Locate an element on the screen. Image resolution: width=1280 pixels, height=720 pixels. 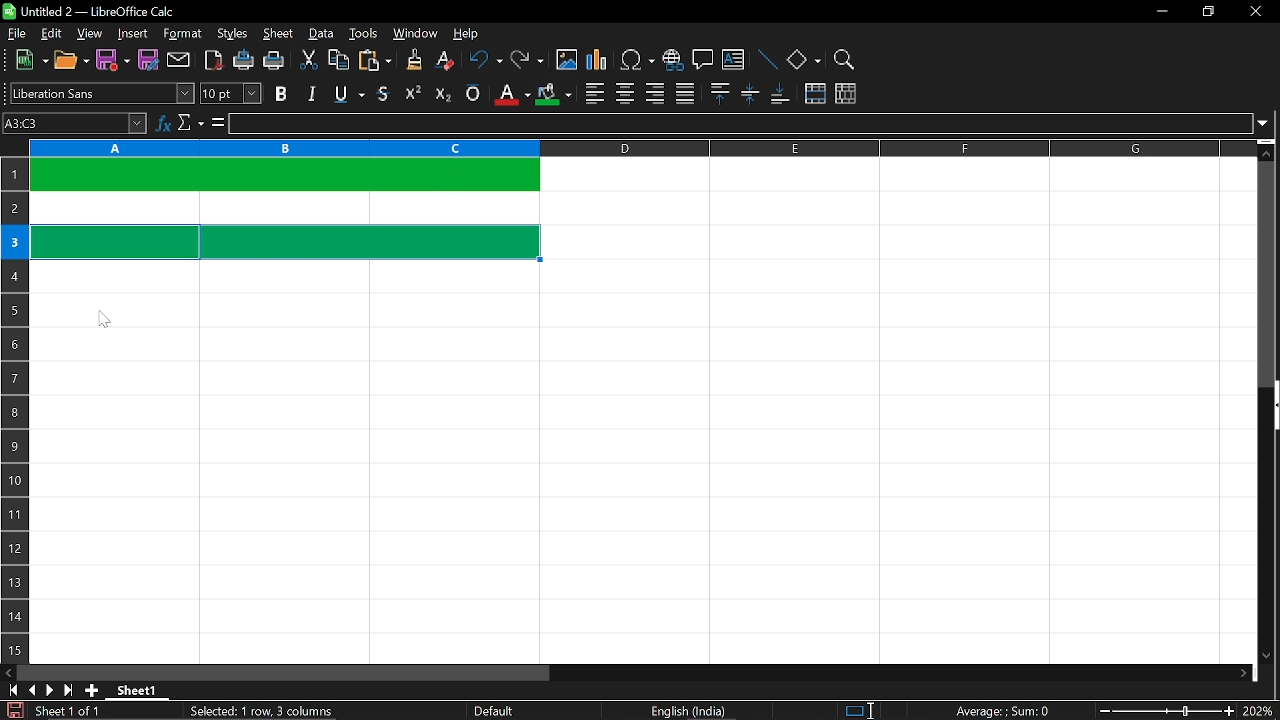
text style is located at coordinates (103, 94).